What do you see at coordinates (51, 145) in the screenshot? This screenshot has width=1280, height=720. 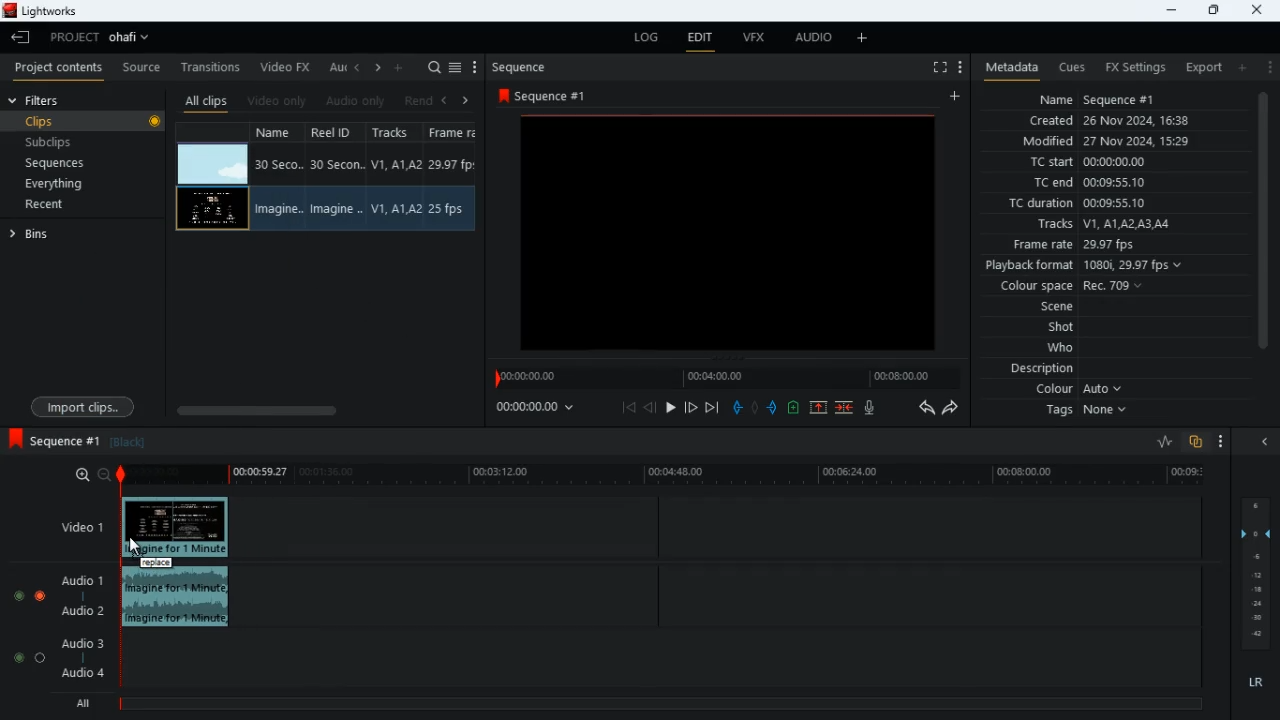 I see `subclips` at bounding box center [51, 145].